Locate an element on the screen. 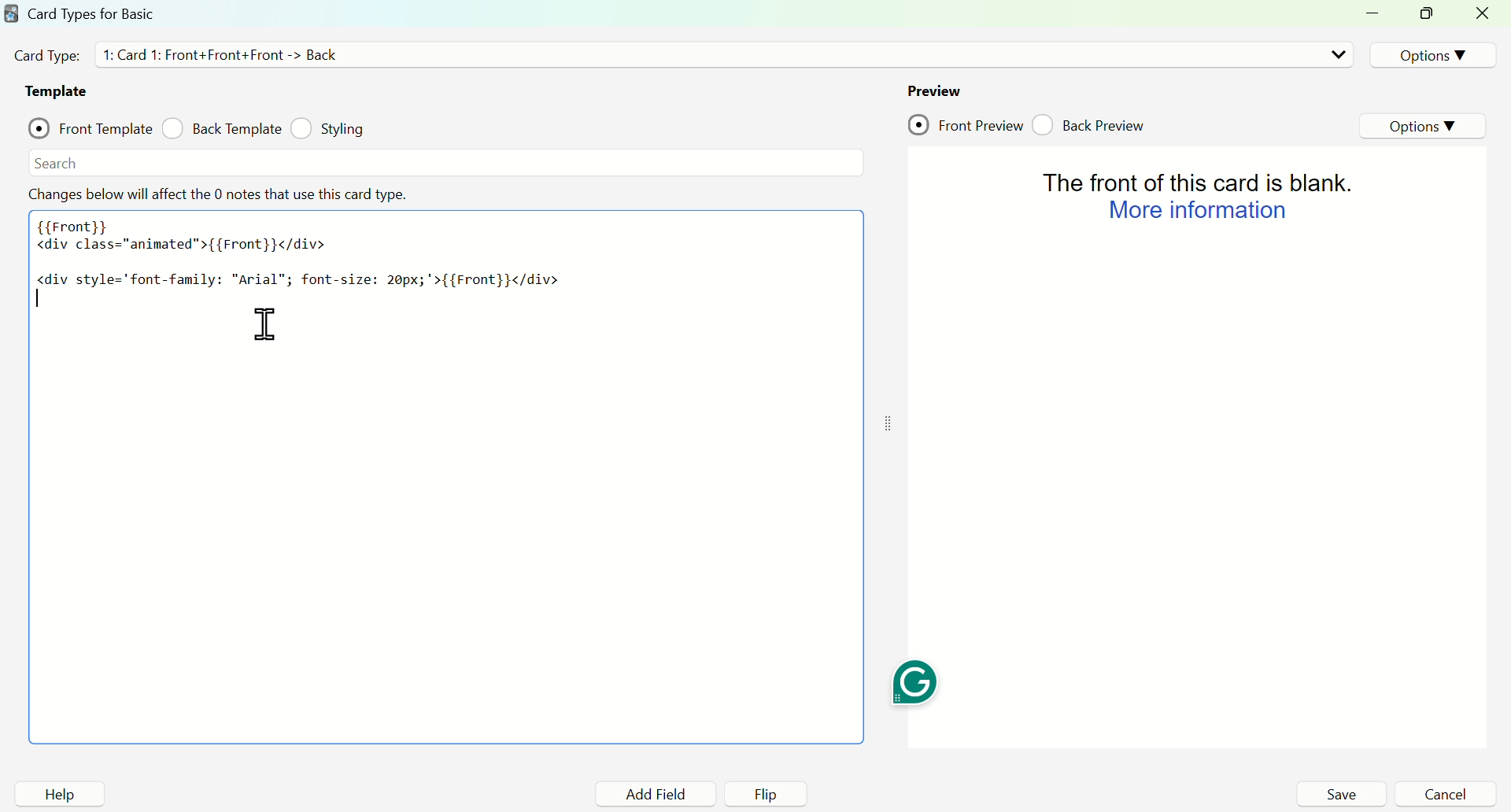 This screenshot has height=812, width=1511. typing cursor is located at coordinates (41, 300).